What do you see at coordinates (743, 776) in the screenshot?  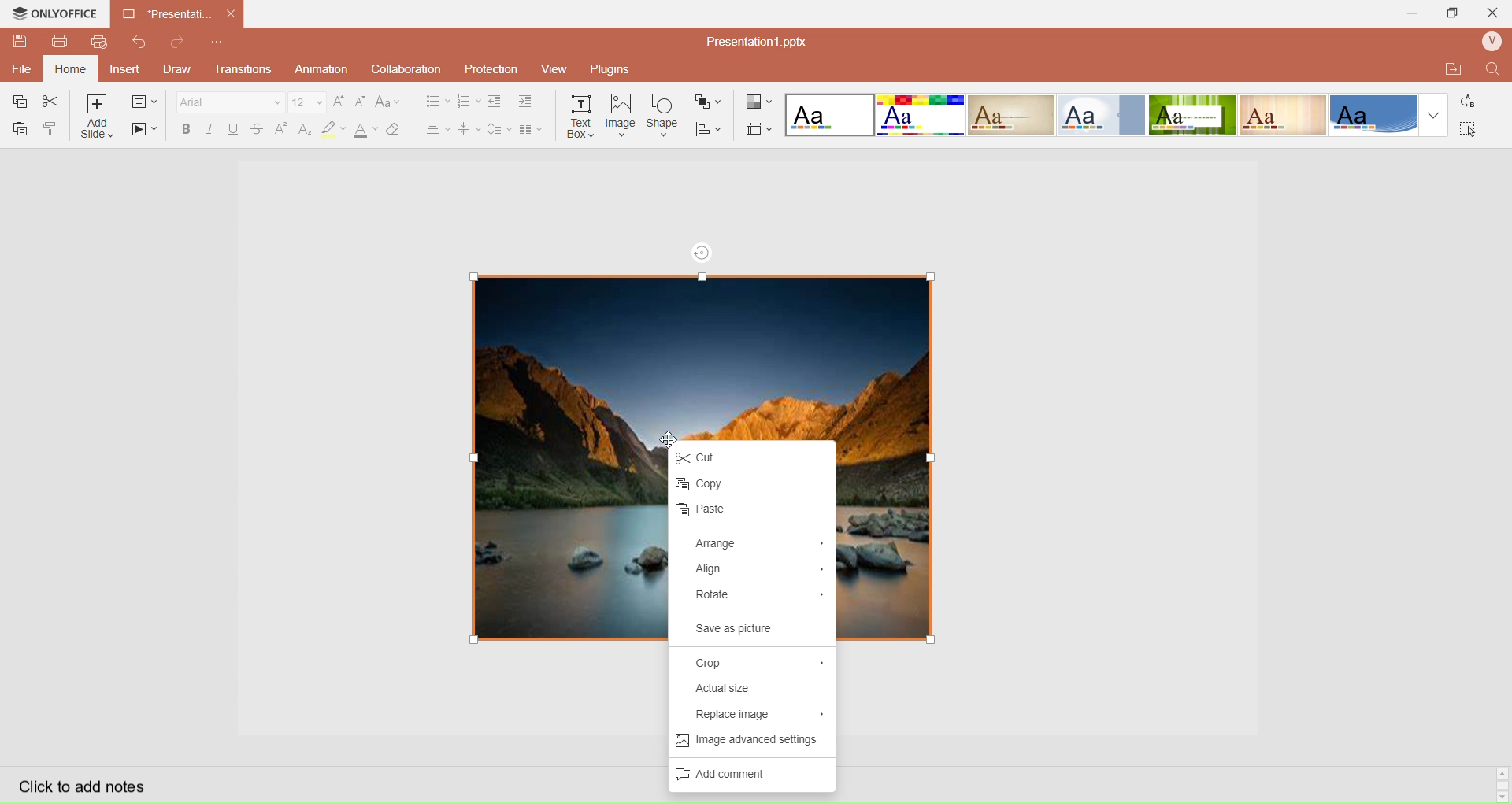 I see `Add Comments` at bounding box center [743, 776].